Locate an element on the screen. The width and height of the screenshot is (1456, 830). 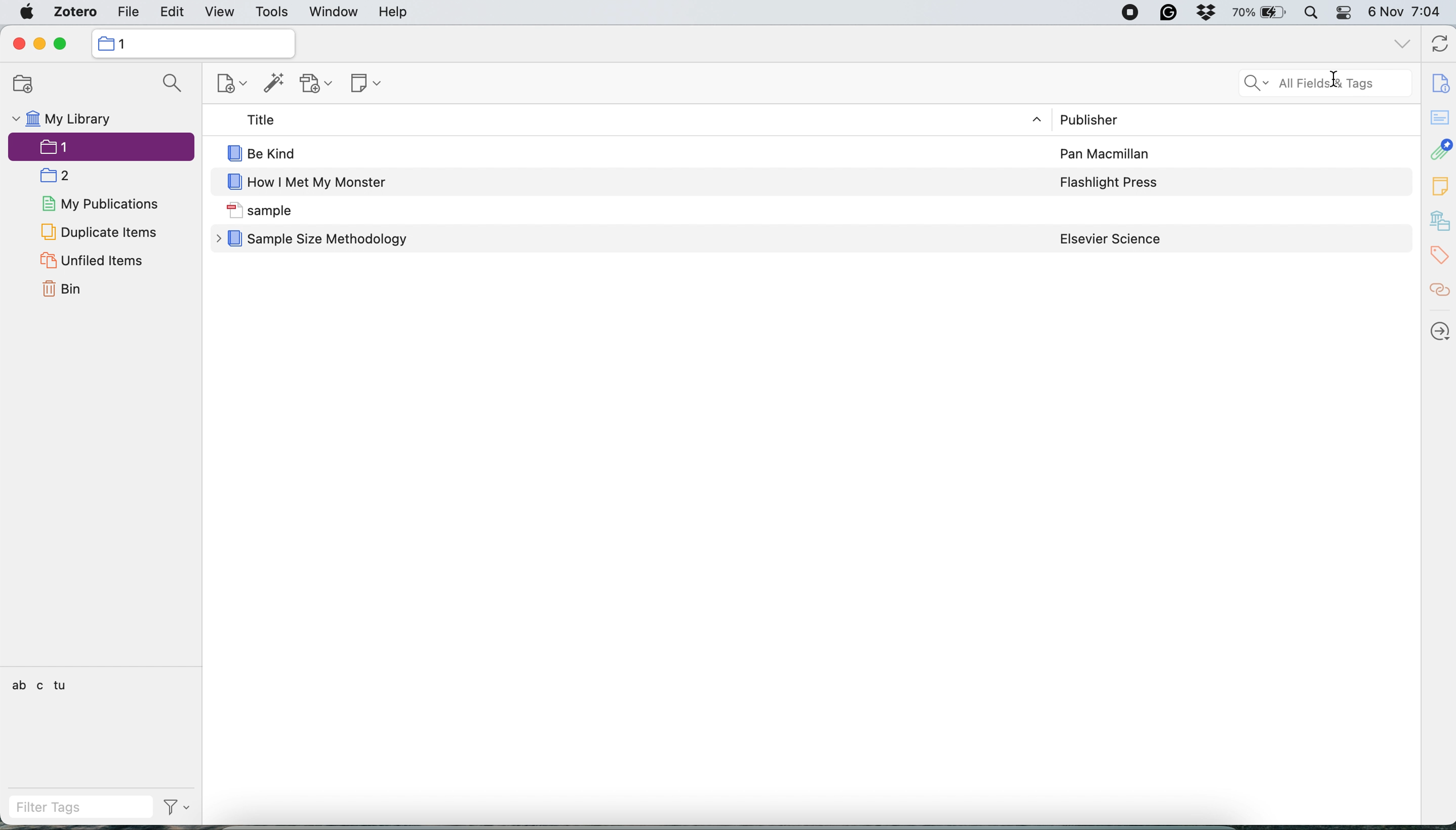
Be Kind is located at coordinates (277, 153).